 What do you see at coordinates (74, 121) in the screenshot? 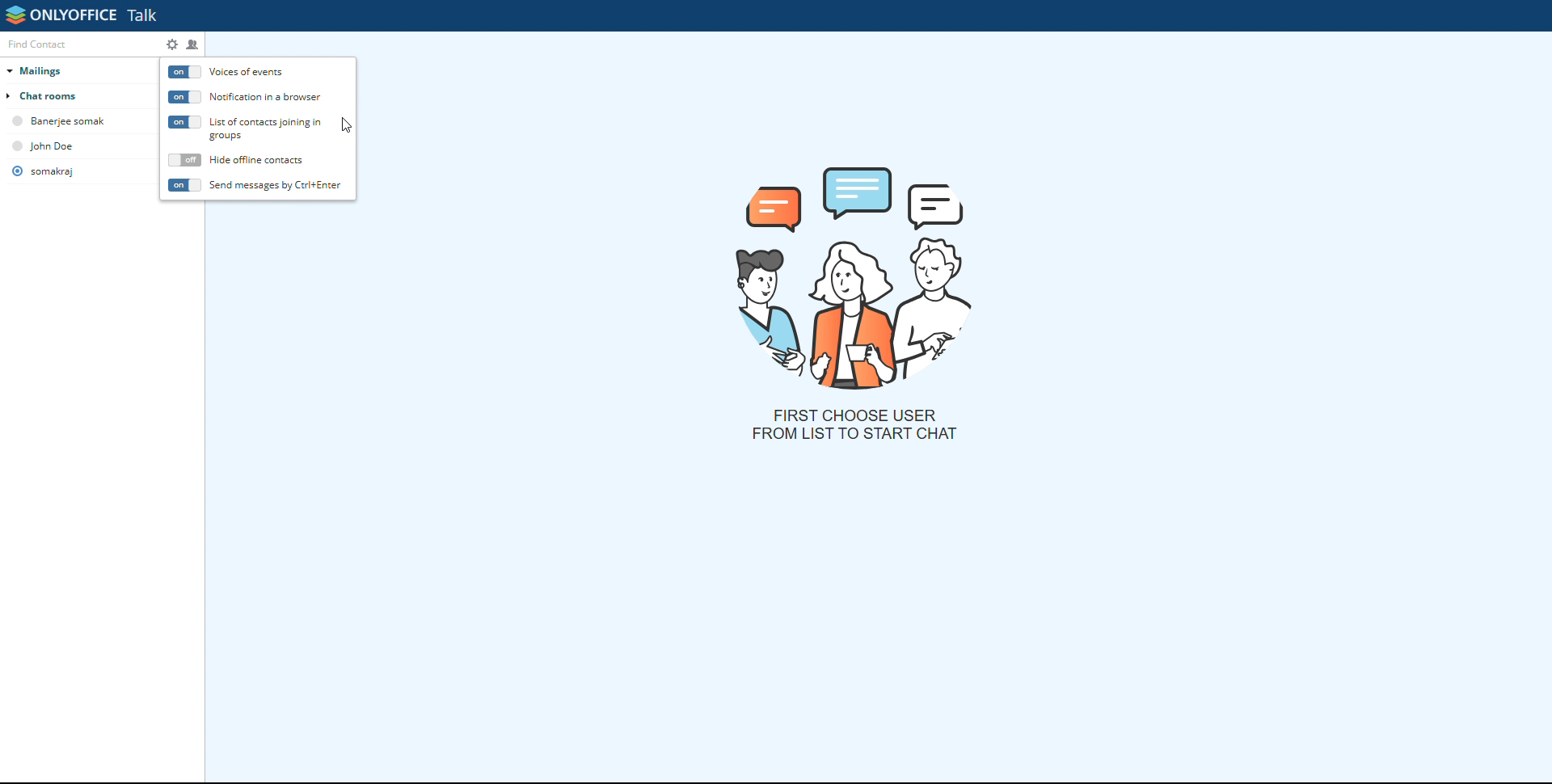
I see `banerjee somak` at bounding box center [74, 121].